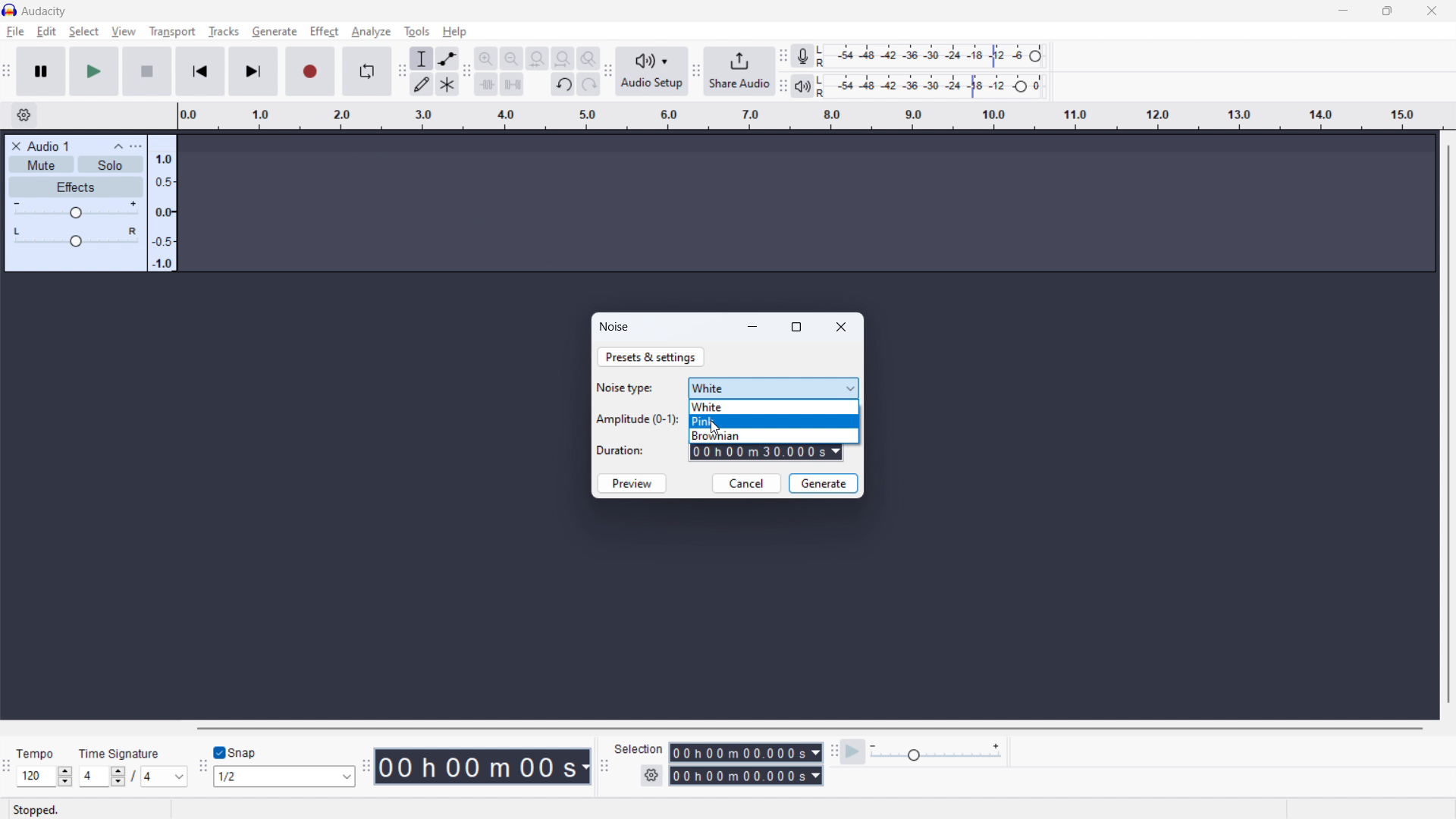  Describe the element at coordinates (637, 419) in the screenshot. I see `Amplitude` at that location.